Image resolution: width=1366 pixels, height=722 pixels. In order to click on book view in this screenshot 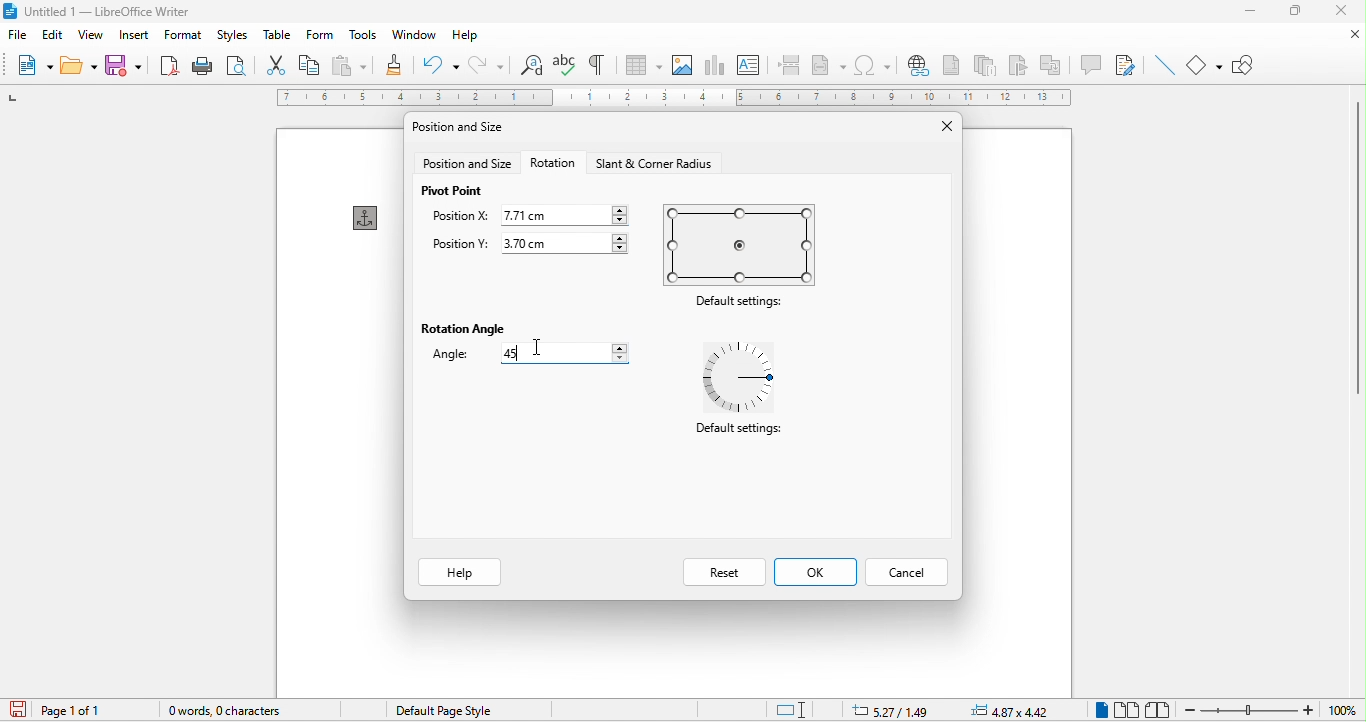, I will do `click(1159, 709)`.